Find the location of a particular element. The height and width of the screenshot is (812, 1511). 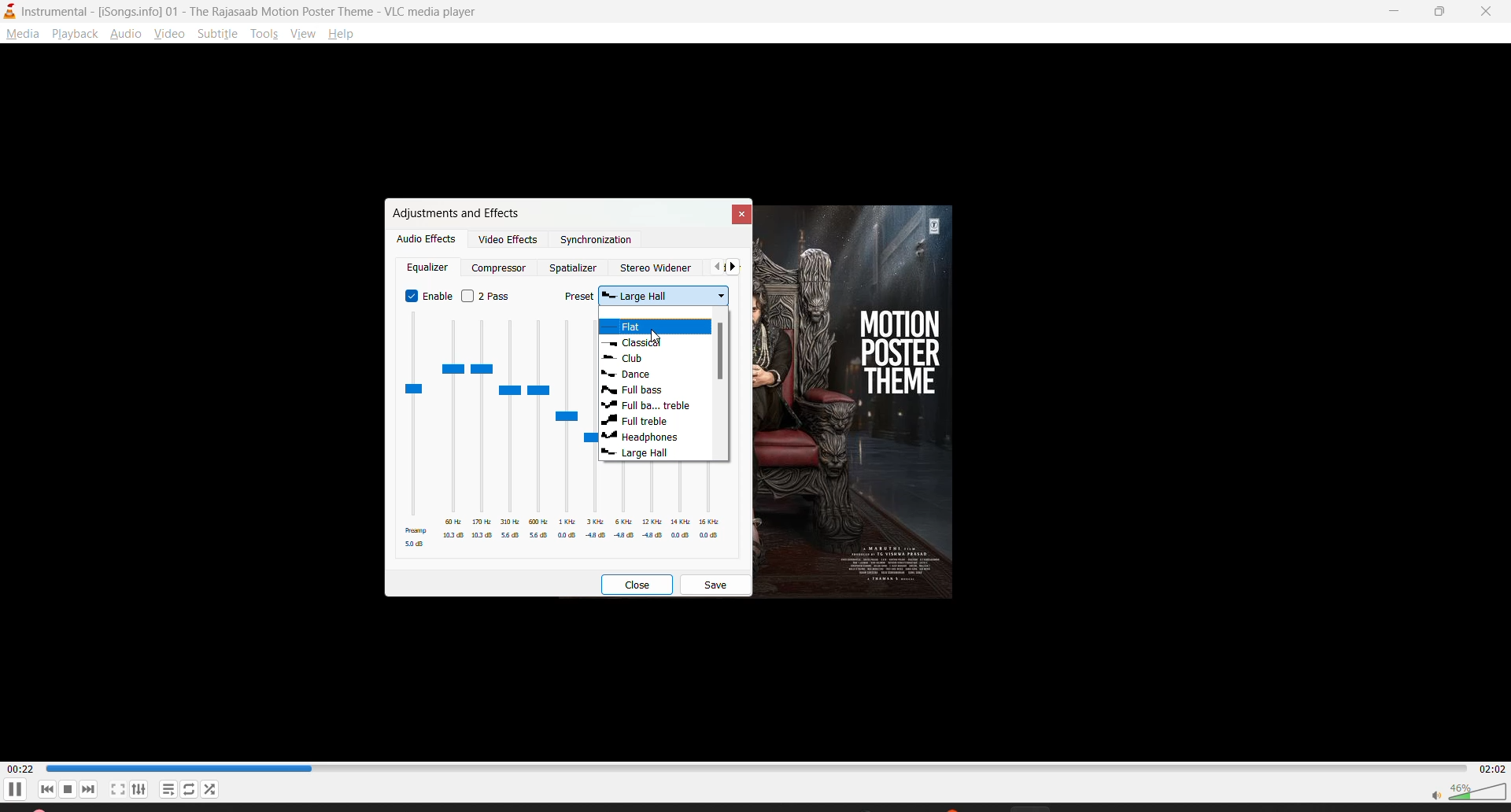

full bass is located at coordinates (637, 391).